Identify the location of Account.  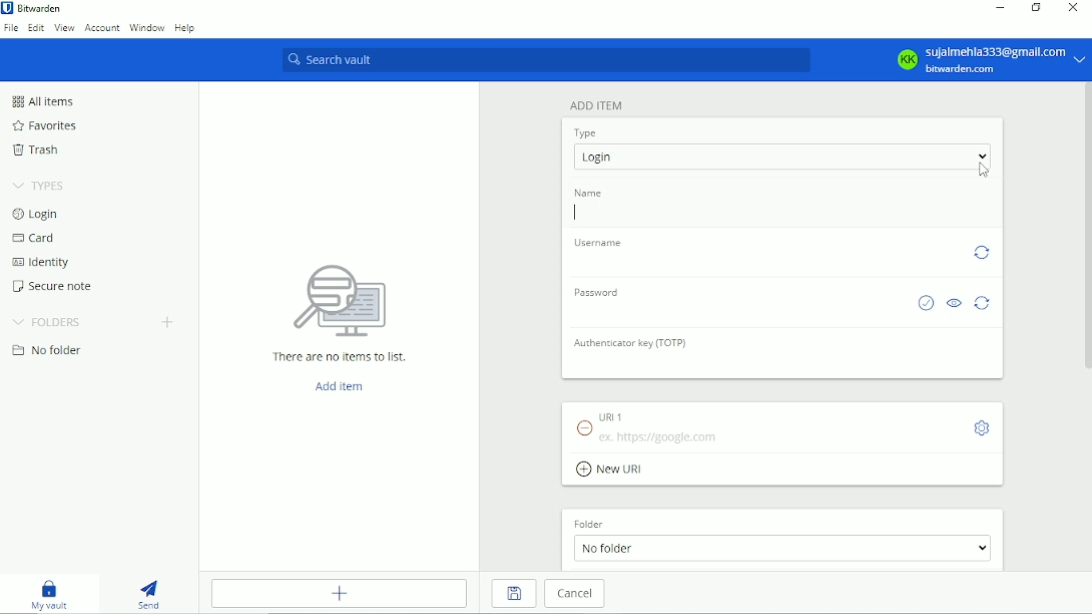
(102, 28).